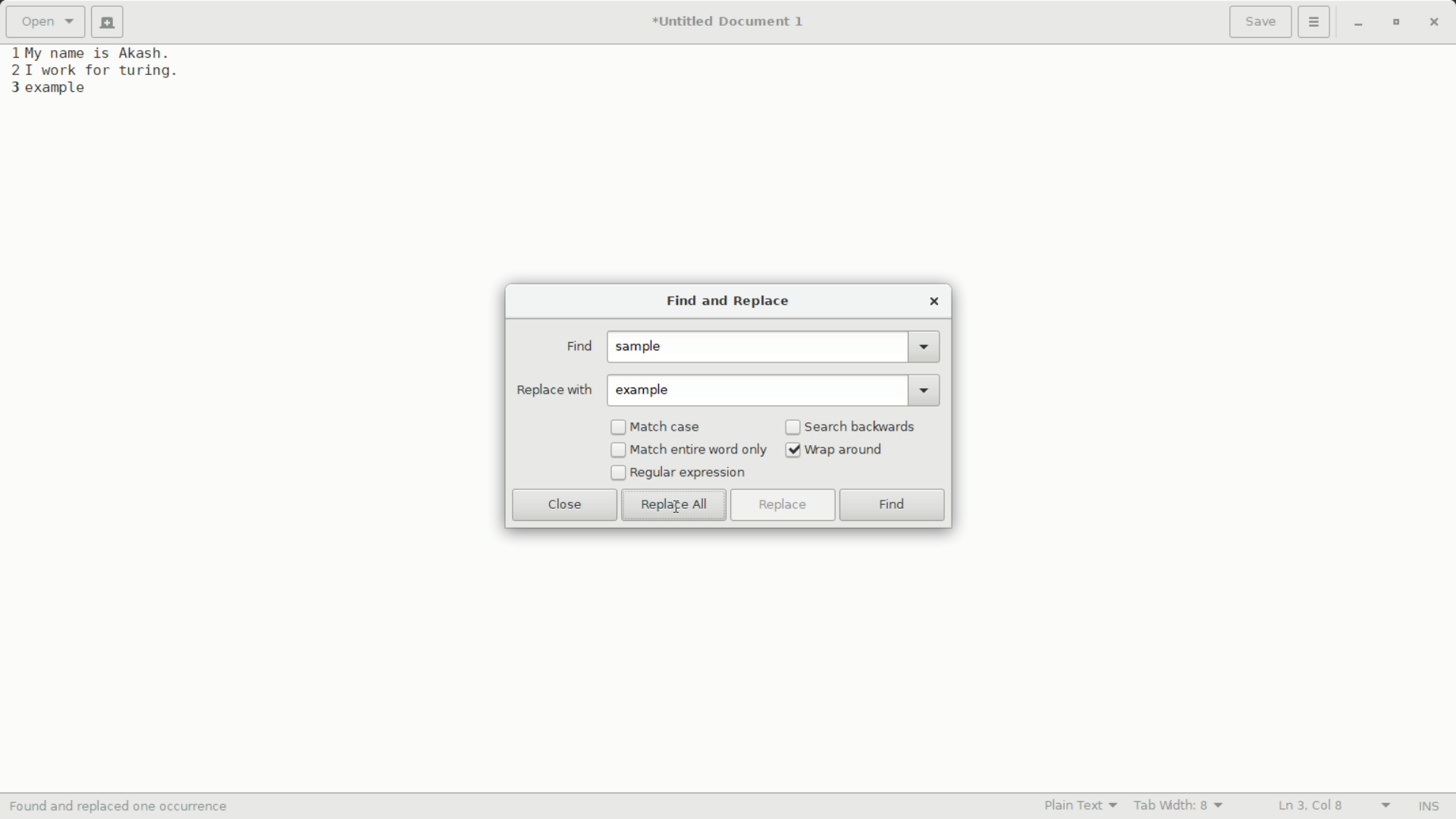 This screenshot has width=1456, height=819. What do you see at coordinates (934, 301) in the screenshot?
I see `close` at bounding box center [934, 301].